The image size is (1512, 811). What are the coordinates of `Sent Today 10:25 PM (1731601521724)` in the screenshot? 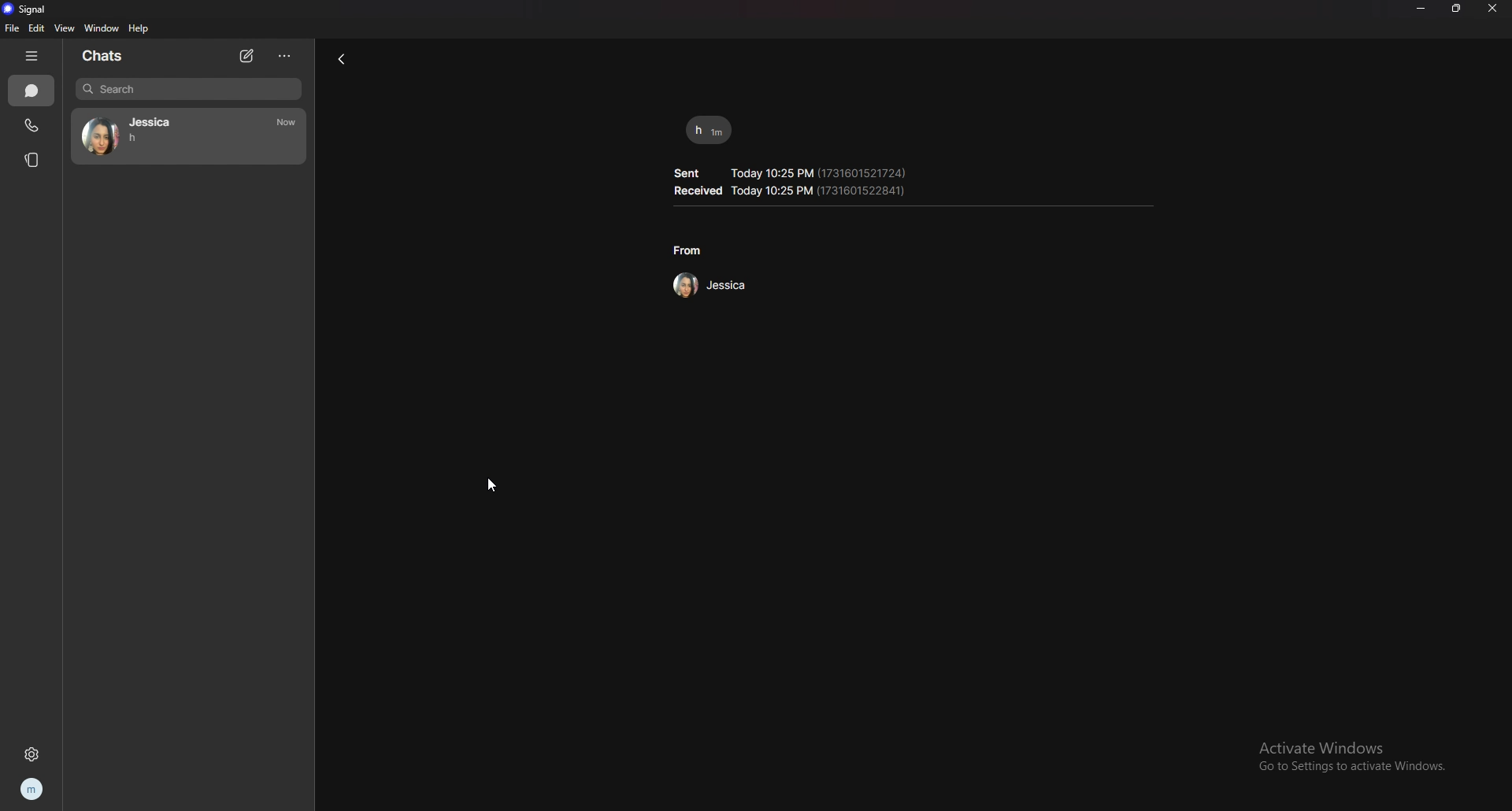 It's located at (791, 170).